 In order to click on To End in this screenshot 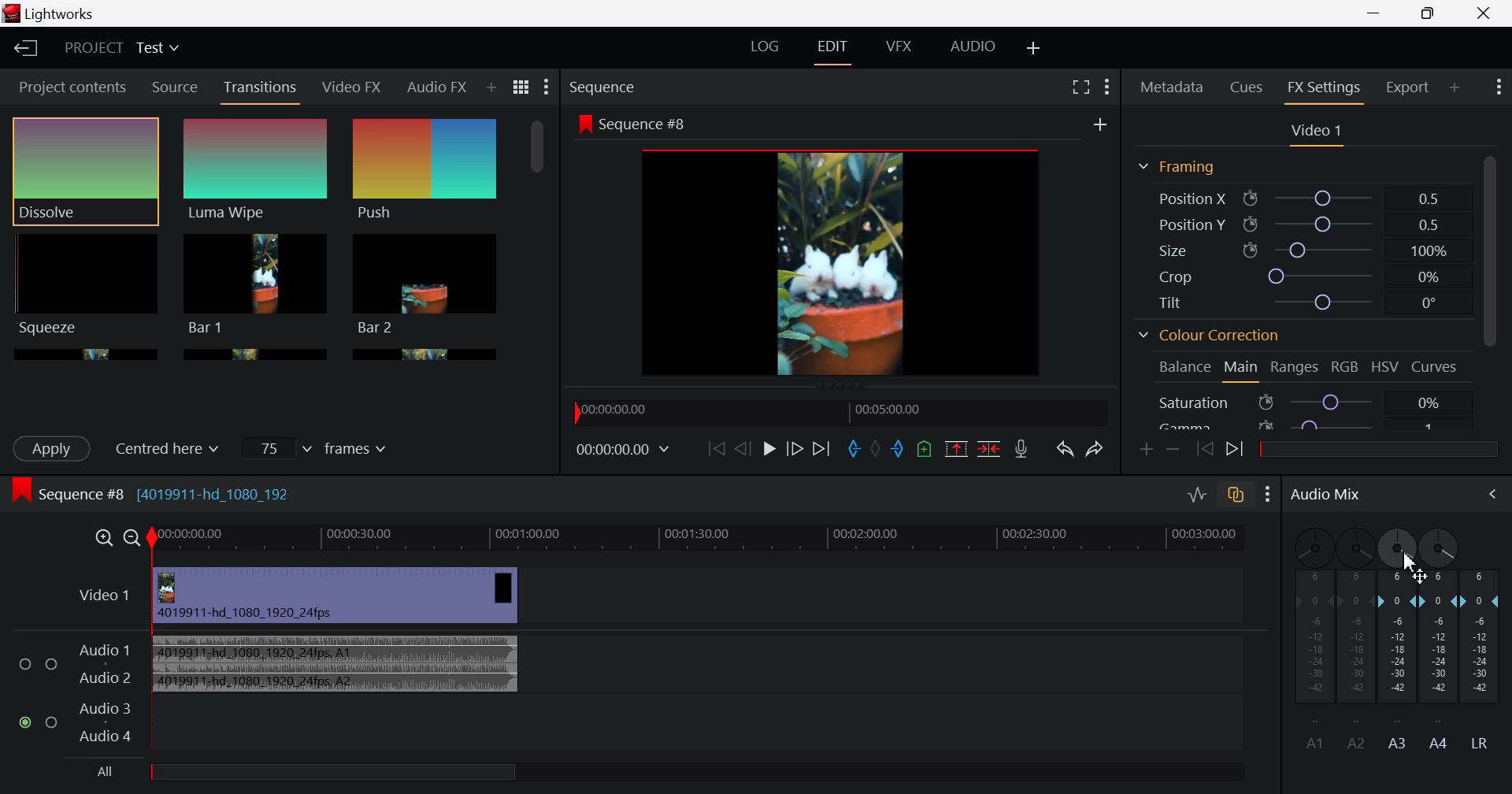, I will do `click(822, 451)`.